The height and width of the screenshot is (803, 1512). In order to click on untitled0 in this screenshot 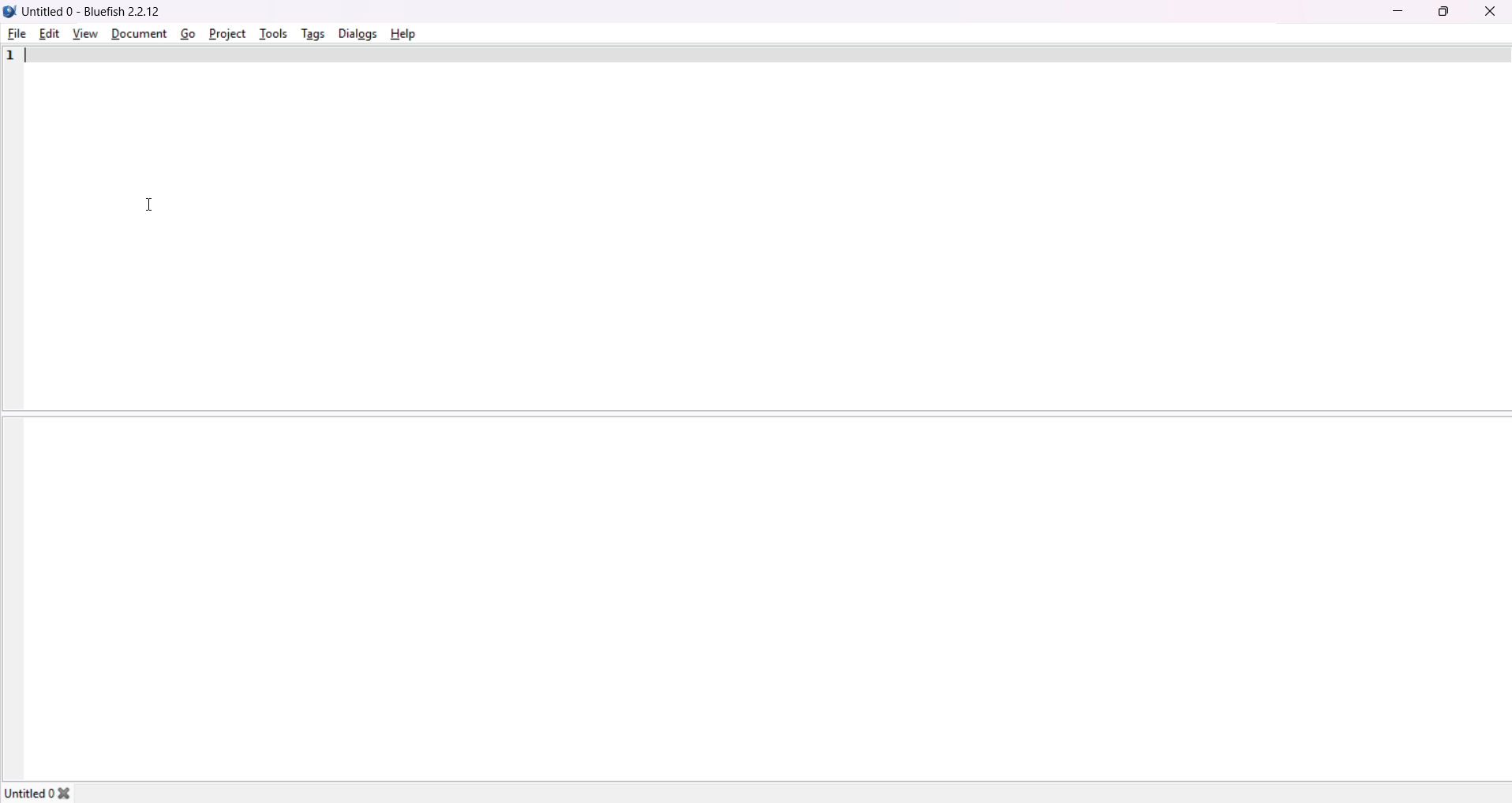, I will do `click(28, 791)`.